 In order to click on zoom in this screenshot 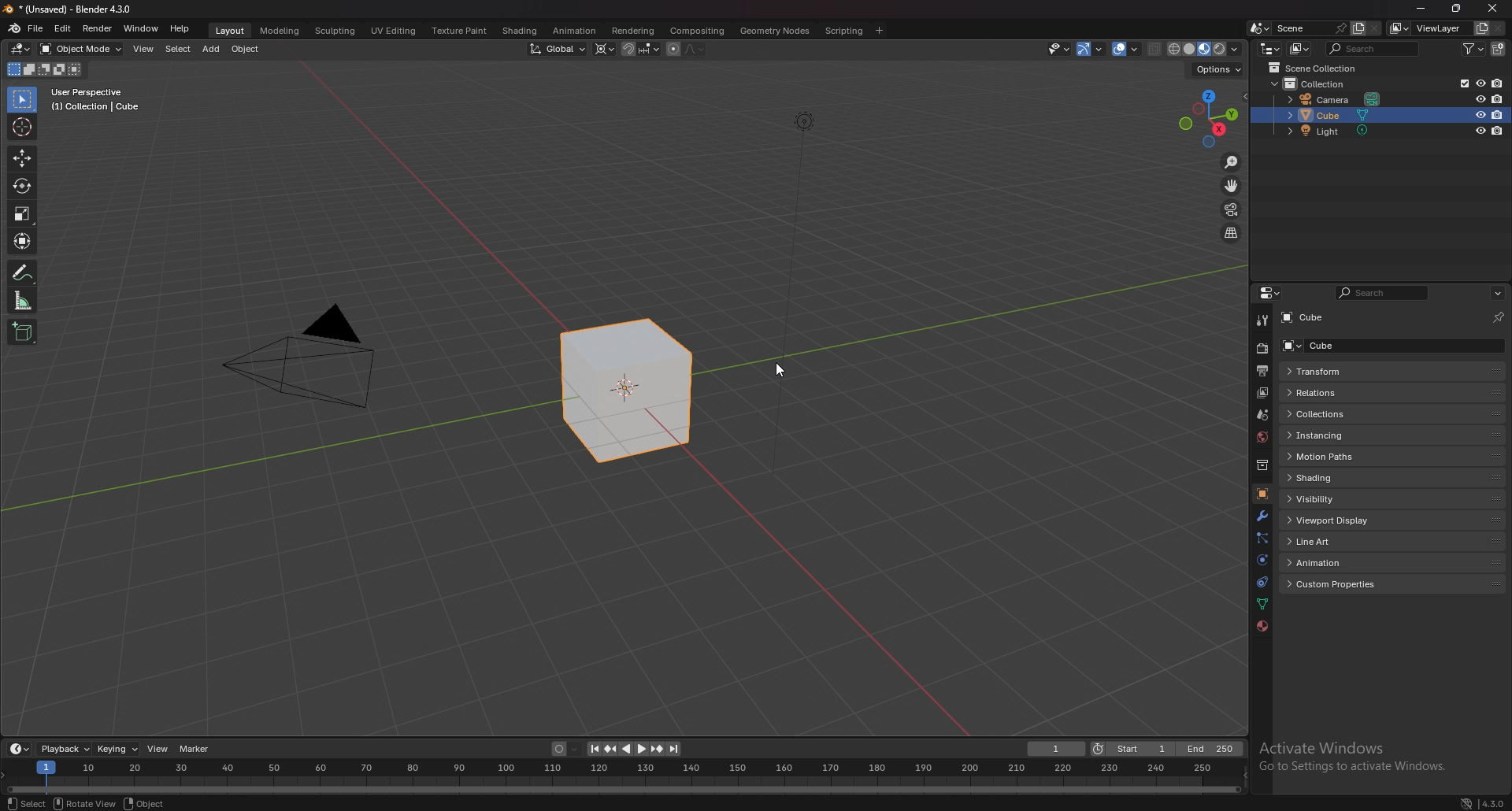, I will do `click(1232, 162)`.